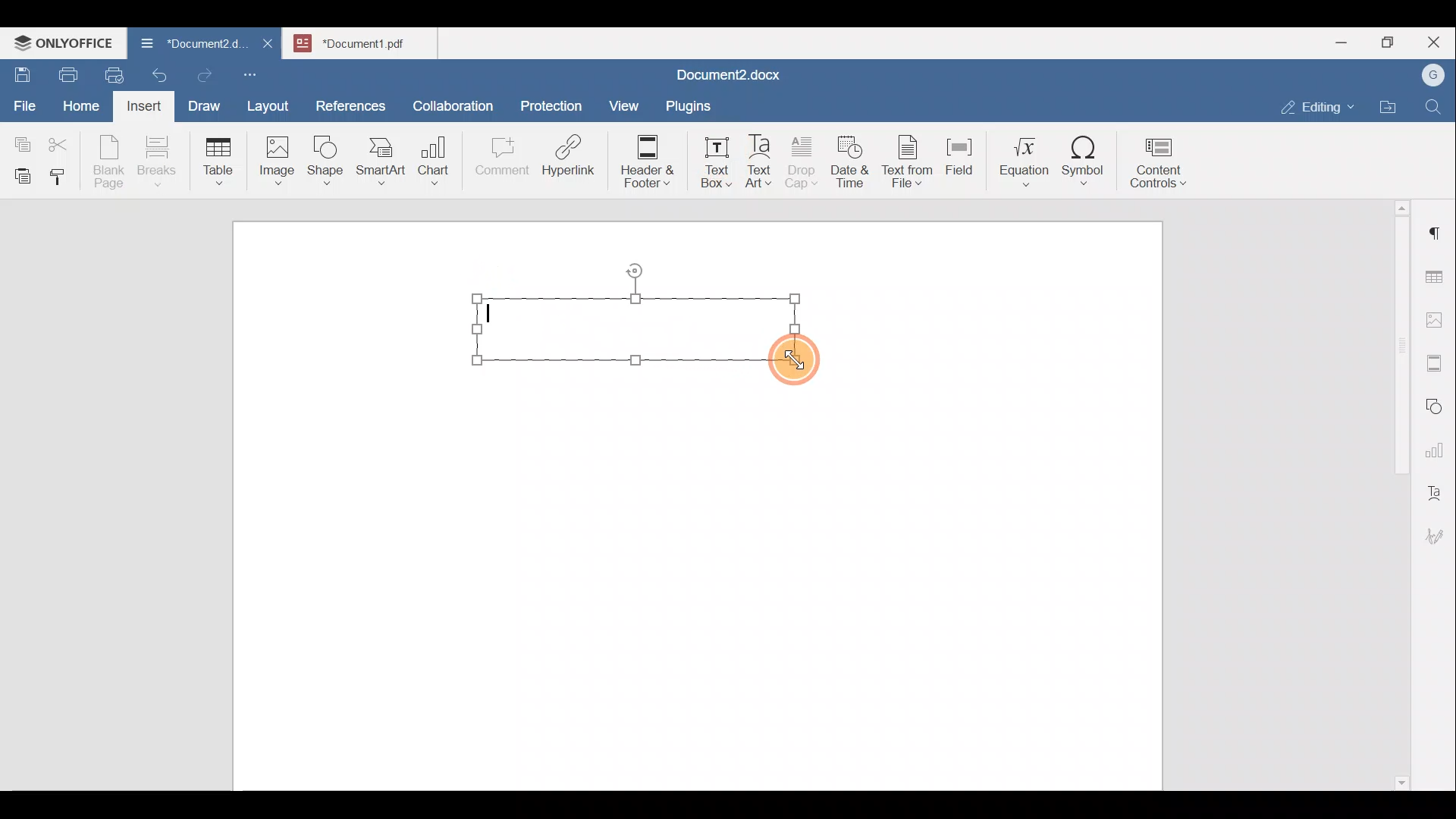 The image size is (1456, 819). Describe the element at coordinates (369, 41) in the screenshot. I see `Document name` at that location.